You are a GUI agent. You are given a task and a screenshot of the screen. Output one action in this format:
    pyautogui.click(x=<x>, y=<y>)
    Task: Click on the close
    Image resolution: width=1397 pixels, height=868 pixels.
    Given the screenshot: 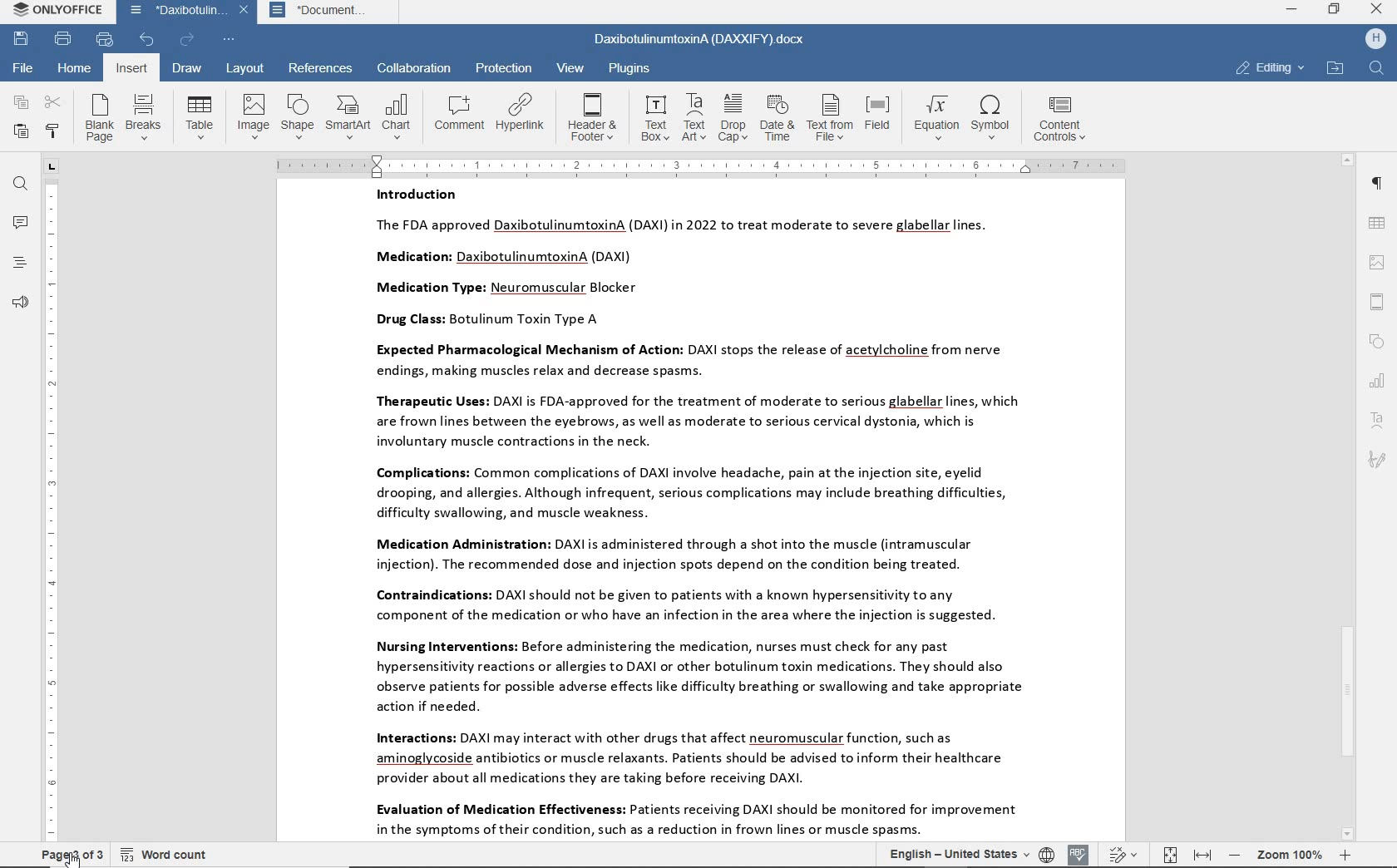 What is the action you would take?
    pyautogui.click(x=244, y=11)
    